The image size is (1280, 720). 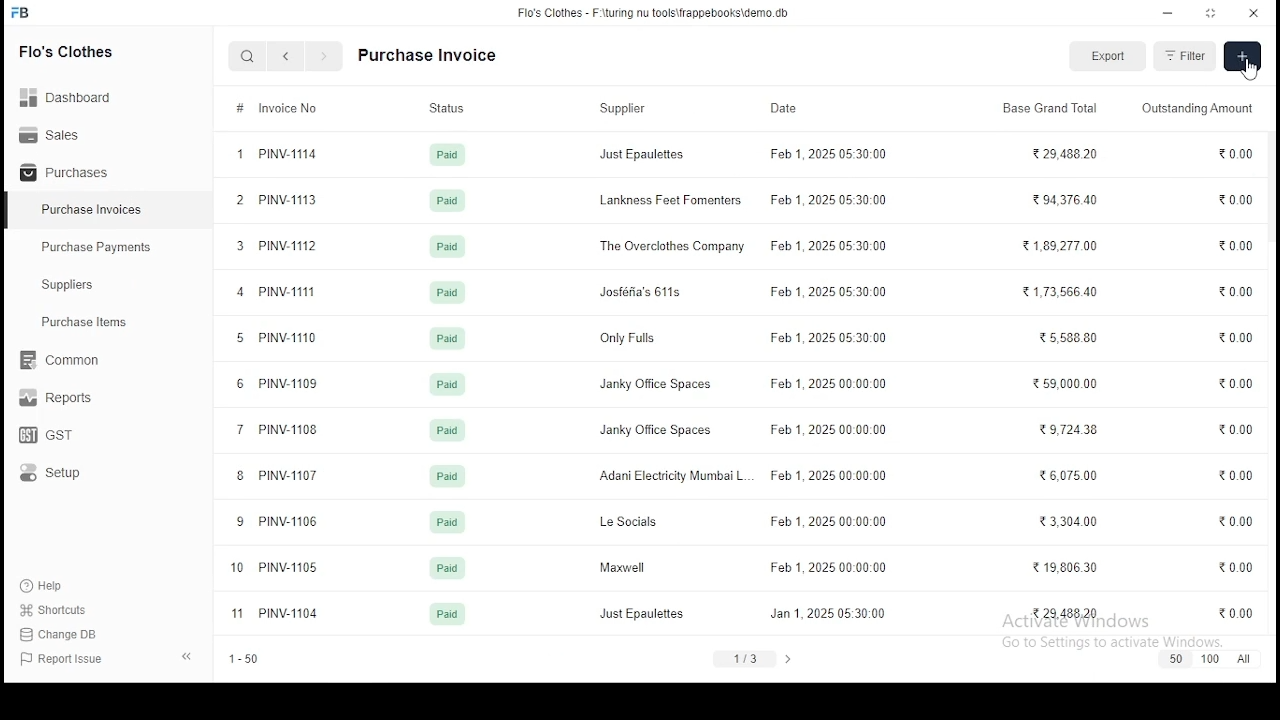 I want to click on Janky Office Spaces, so click(x=658, y=386).